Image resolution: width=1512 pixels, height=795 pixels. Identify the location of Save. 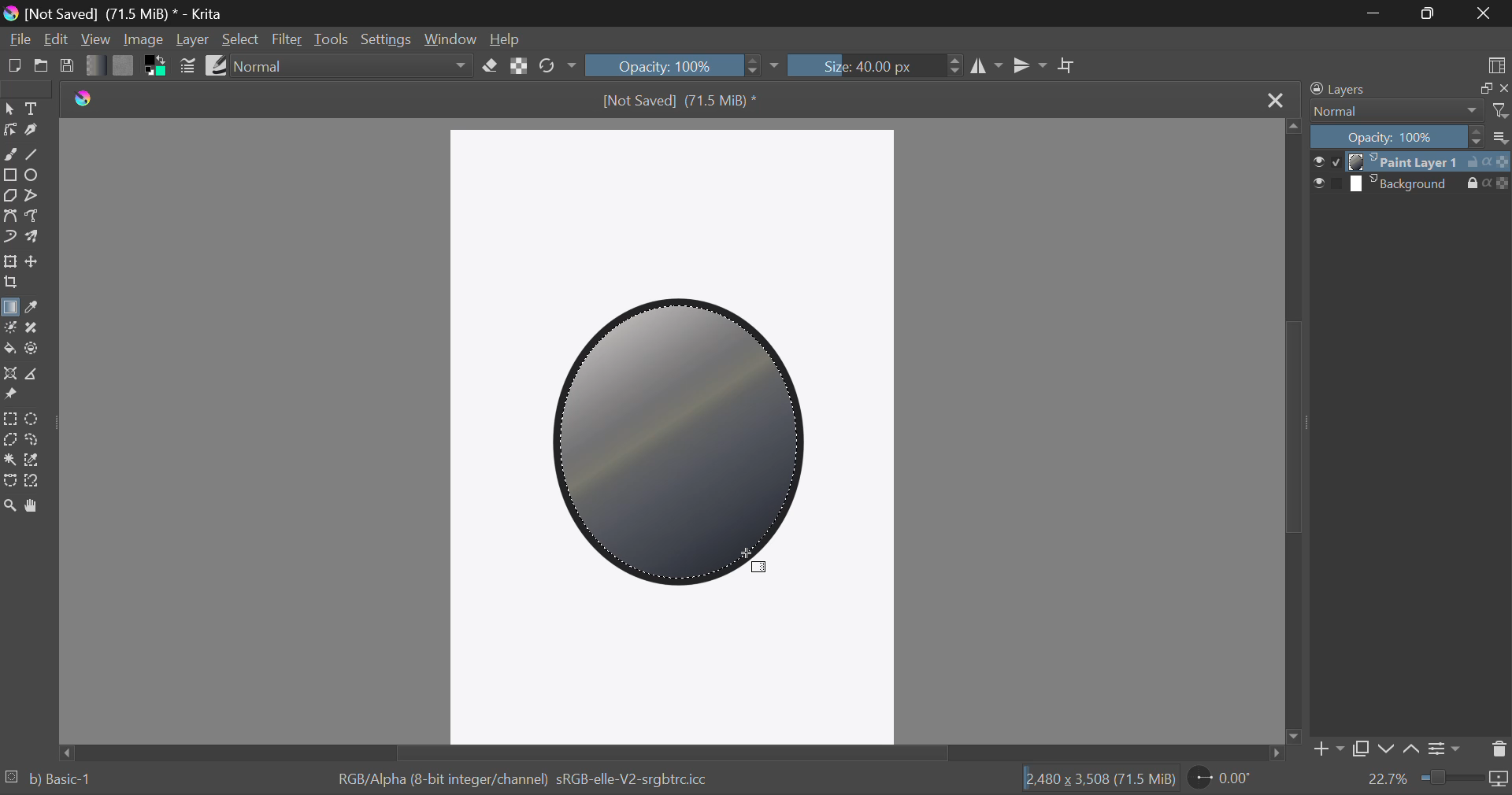
(68, 66).